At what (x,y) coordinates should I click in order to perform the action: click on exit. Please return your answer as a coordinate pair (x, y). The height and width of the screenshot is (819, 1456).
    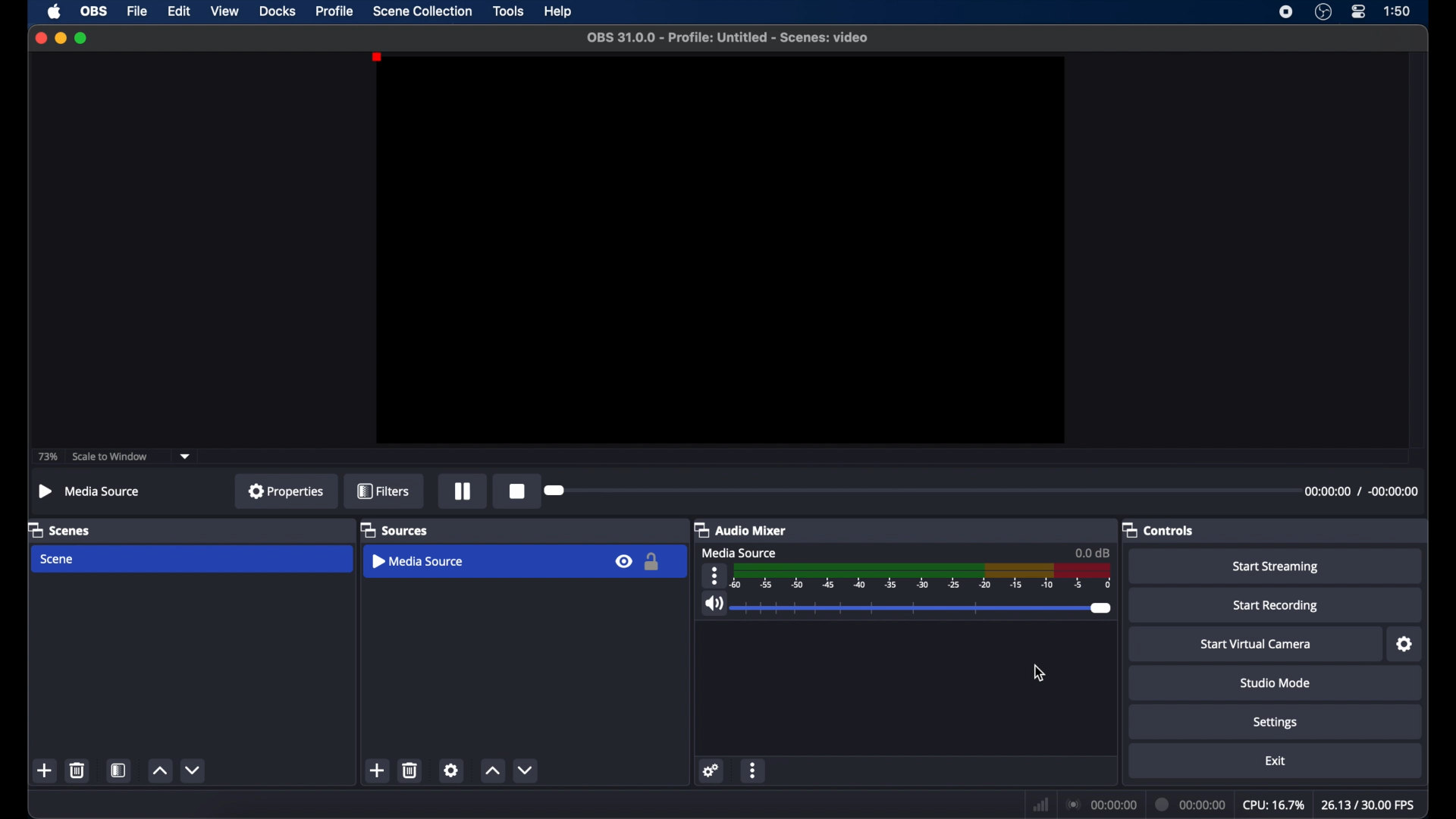
    Looking at the image, I should click on (1276, 761).